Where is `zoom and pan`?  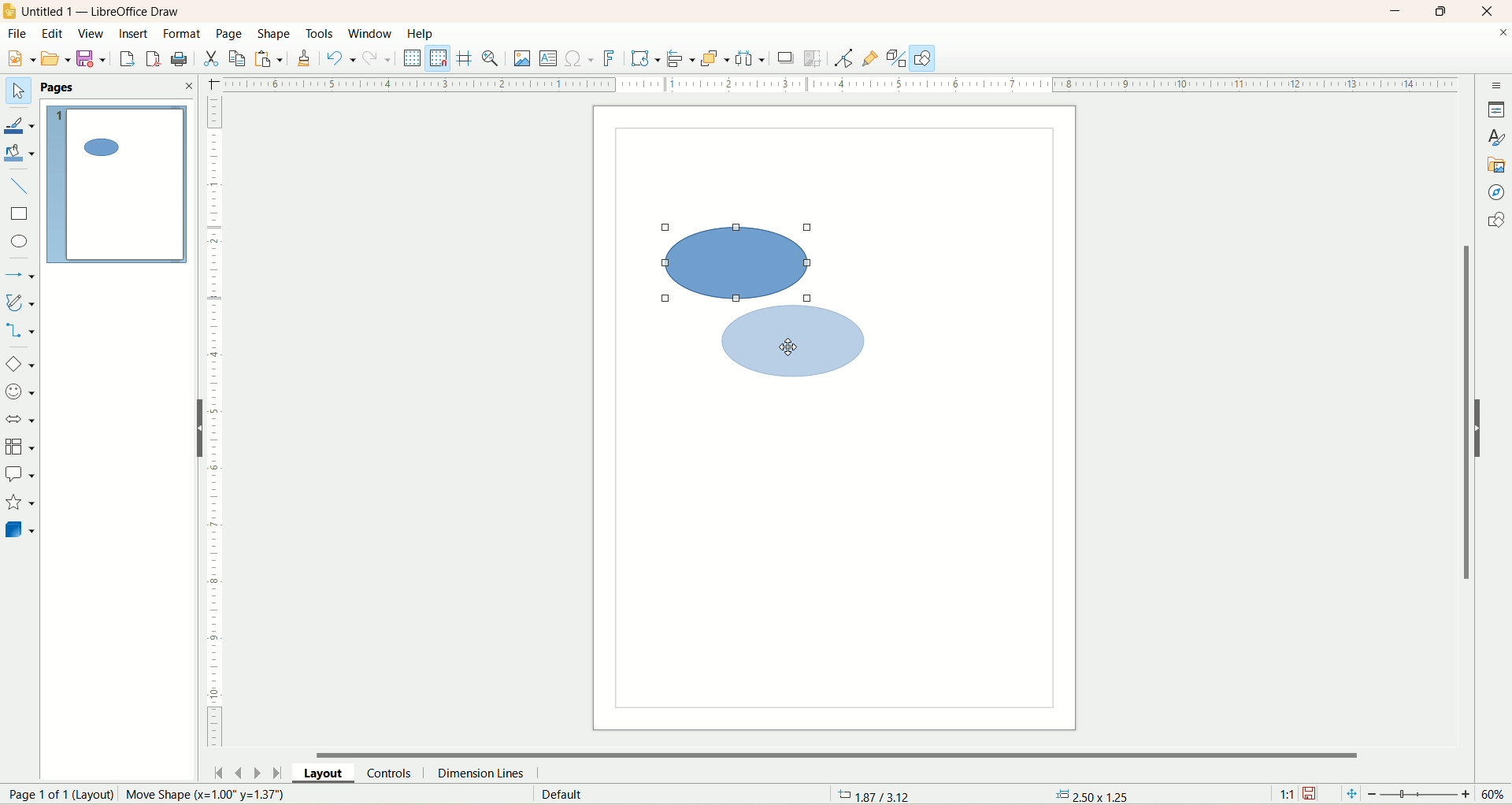 zoom and pan is located at coordinates (494, 61).